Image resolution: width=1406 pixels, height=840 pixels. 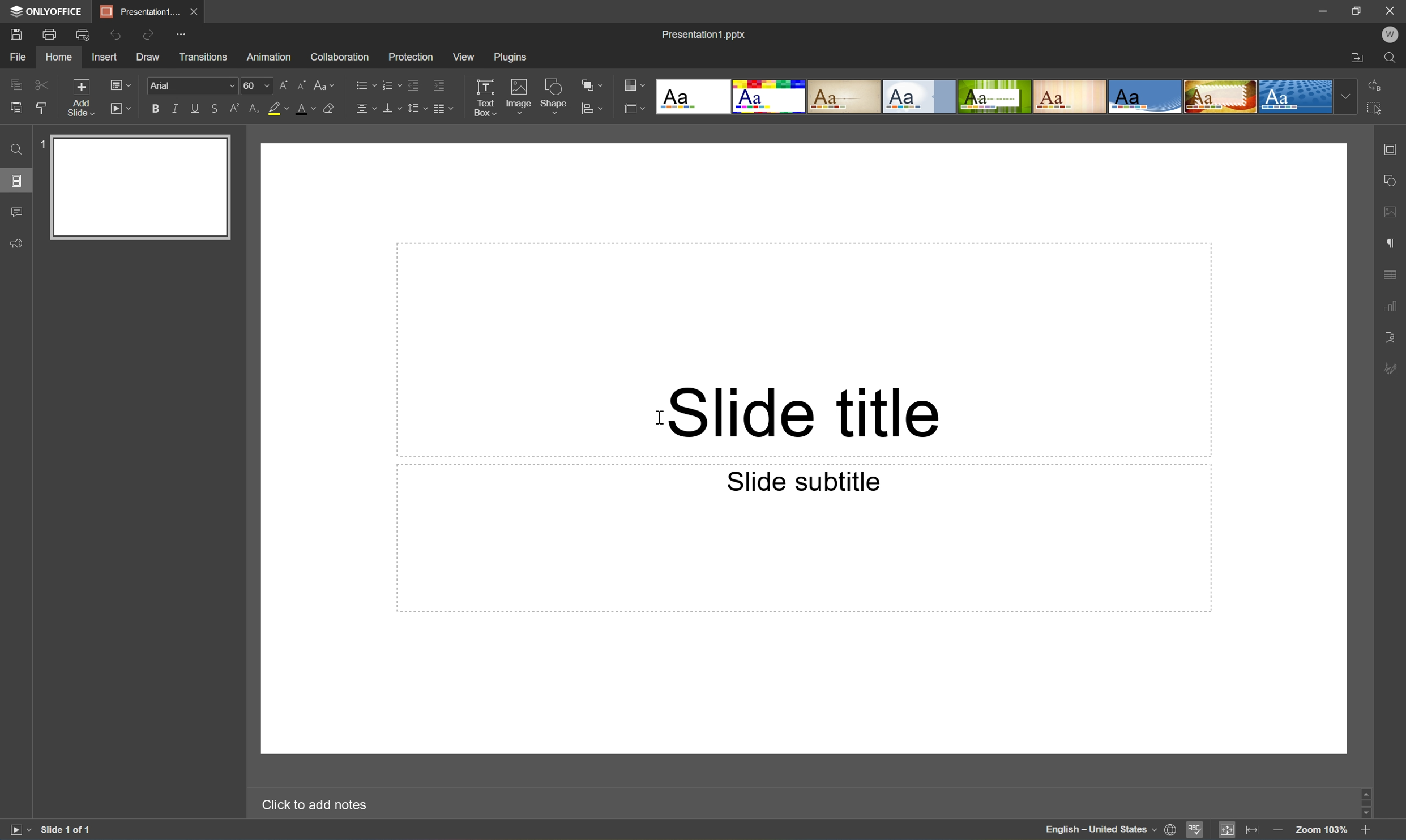 I want to click on Drop Down, so click(x=1344, y=97).